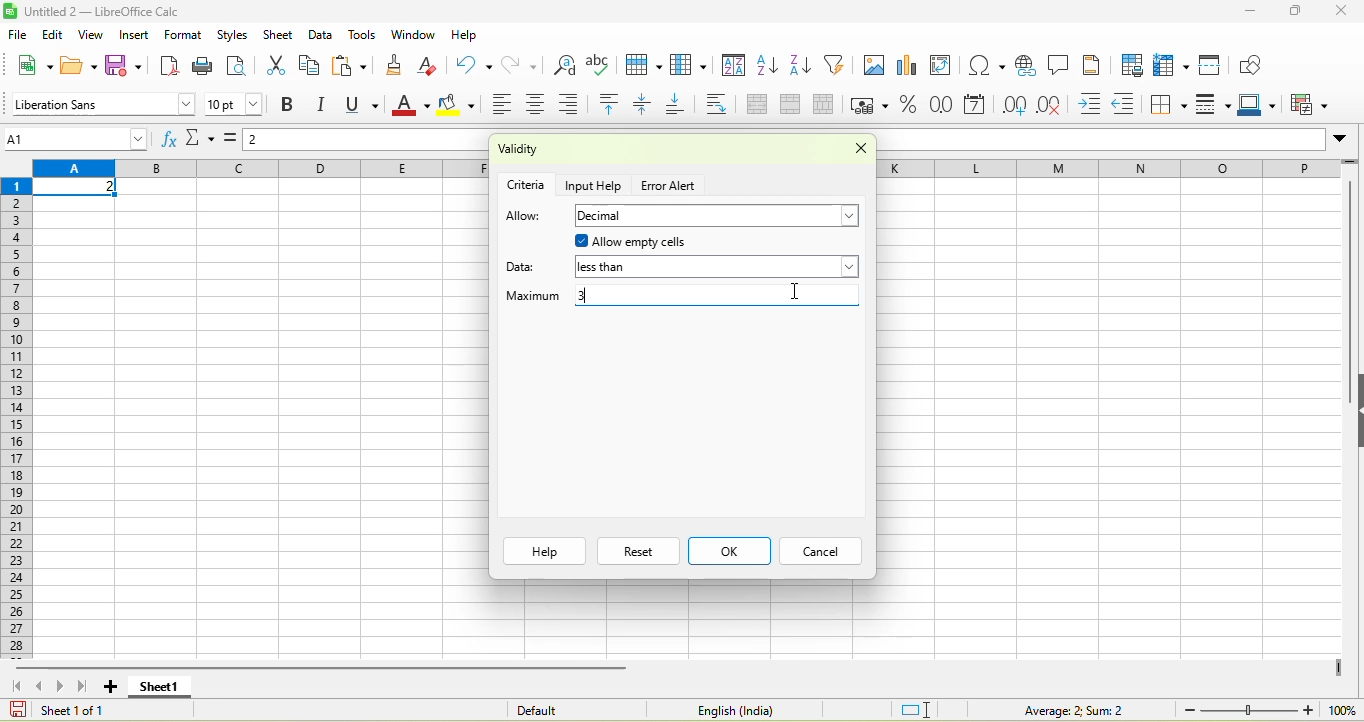  What do you see at coordinates (527, 183) in the screenshot?
I see `criteria` at bounding box center [527, 183].